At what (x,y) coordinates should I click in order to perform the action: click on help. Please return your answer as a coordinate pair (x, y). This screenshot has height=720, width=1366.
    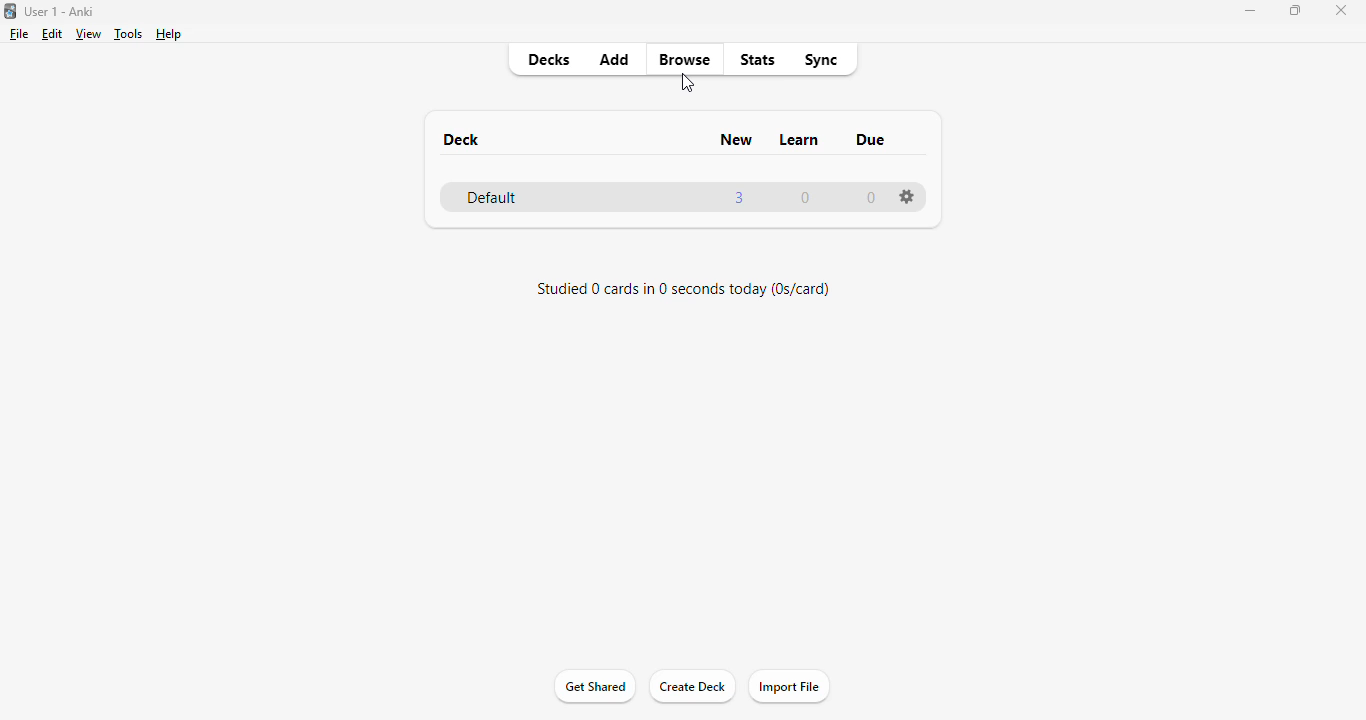
    Looking at the image, I should click on (169, 34).